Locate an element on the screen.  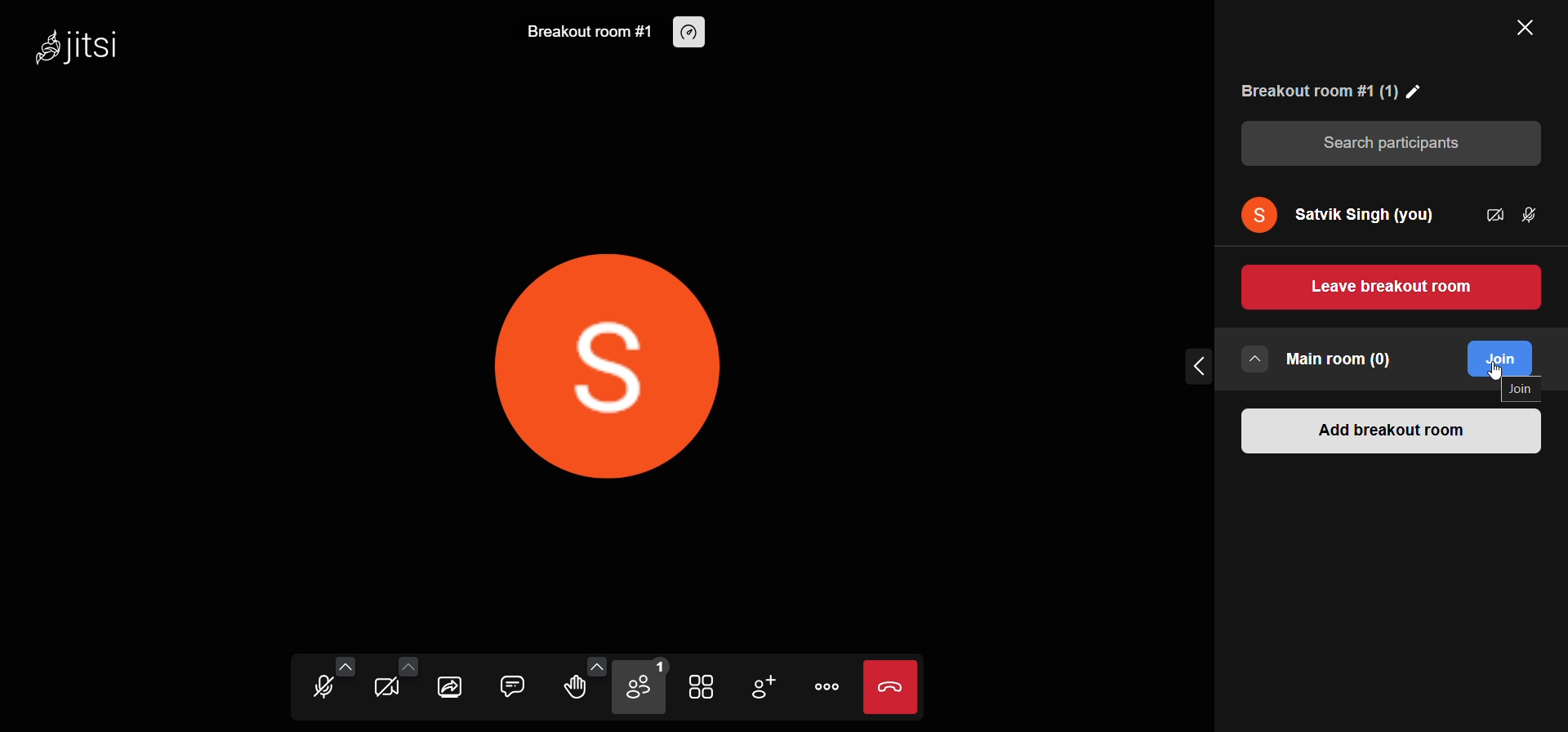
main room (0) is located at coordinates (1347, 359).